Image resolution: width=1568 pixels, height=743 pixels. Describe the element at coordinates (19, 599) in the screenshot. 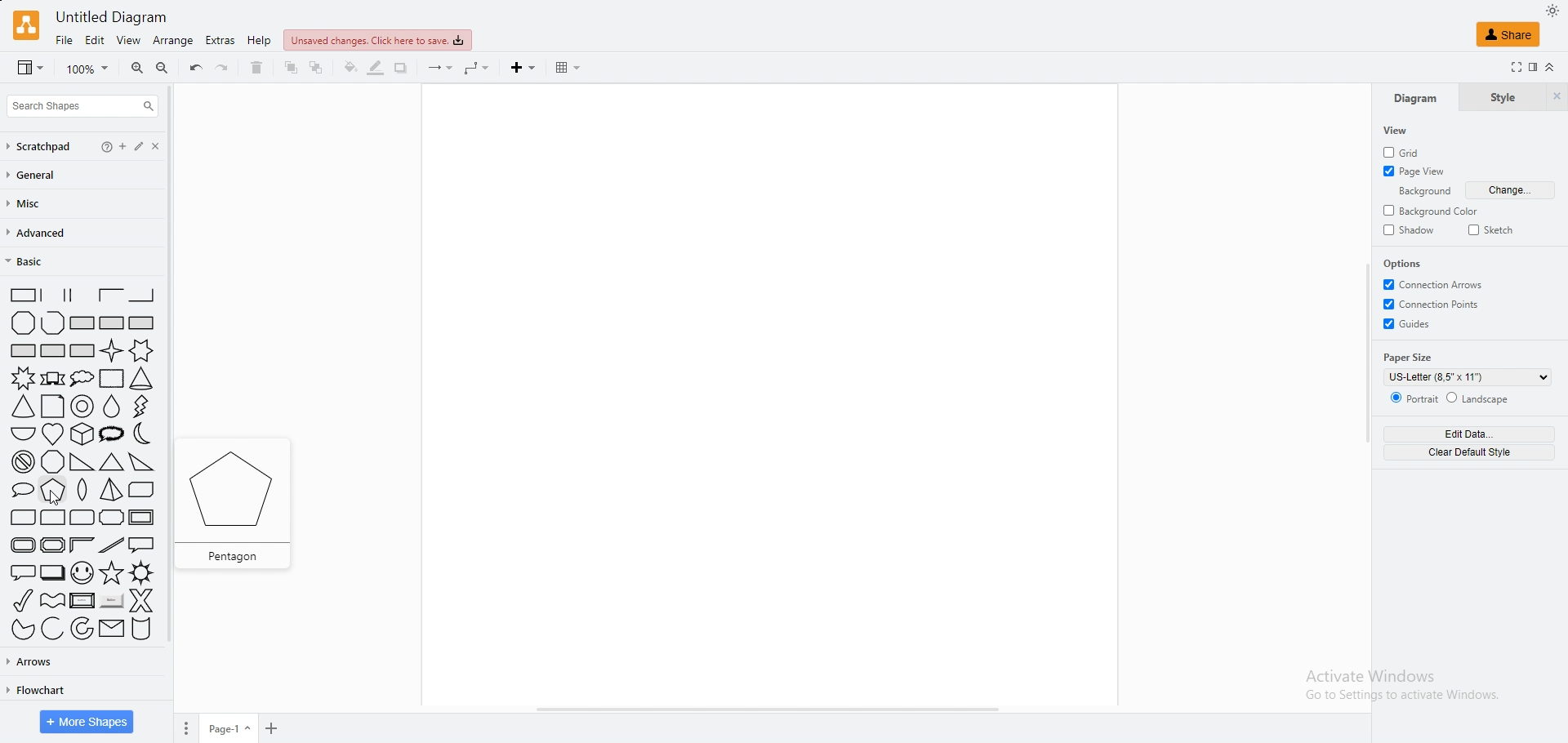

I see `tick ` at that location.